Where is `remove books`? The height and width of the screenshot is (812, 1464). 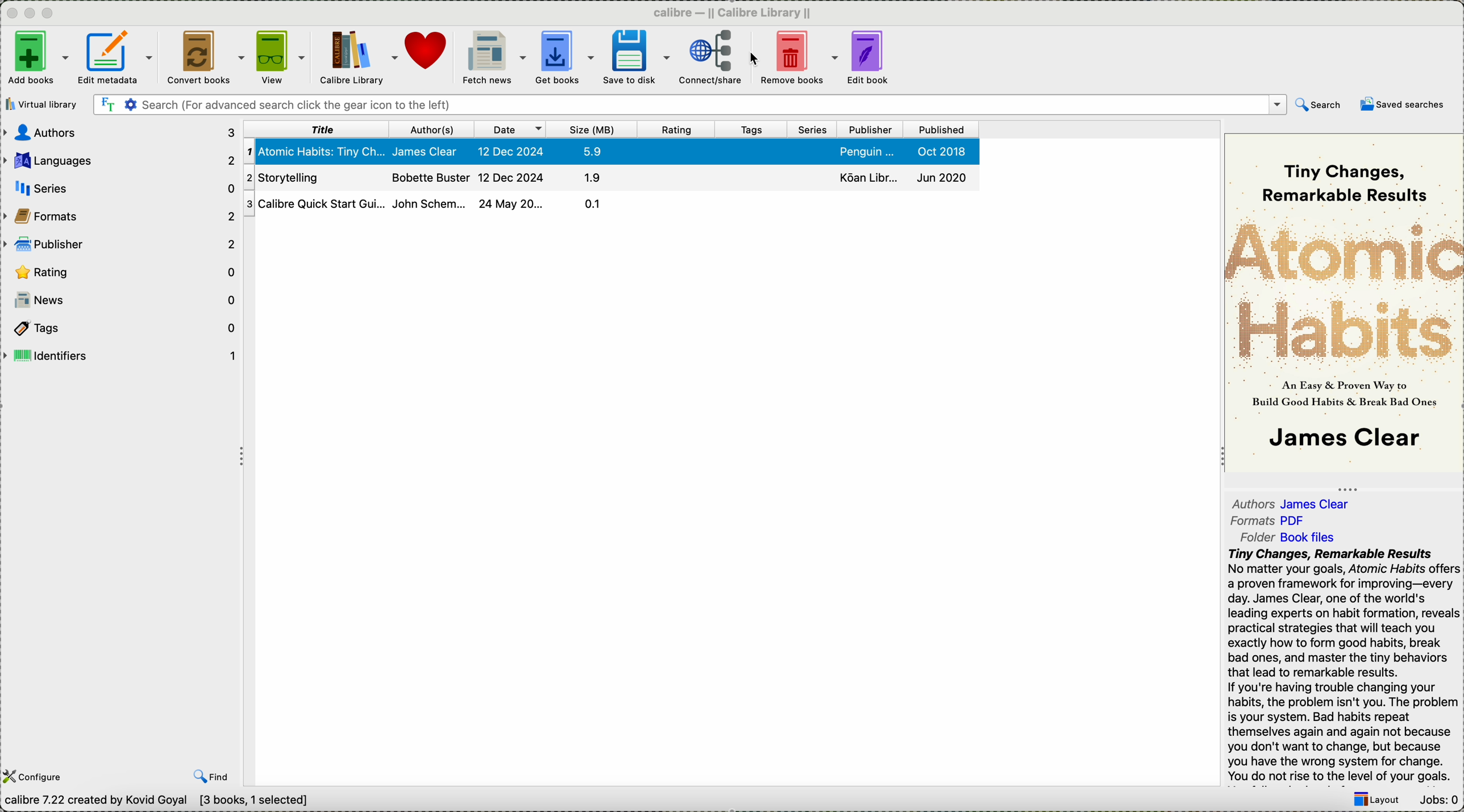
remove books is located at coordinates (798, 59).